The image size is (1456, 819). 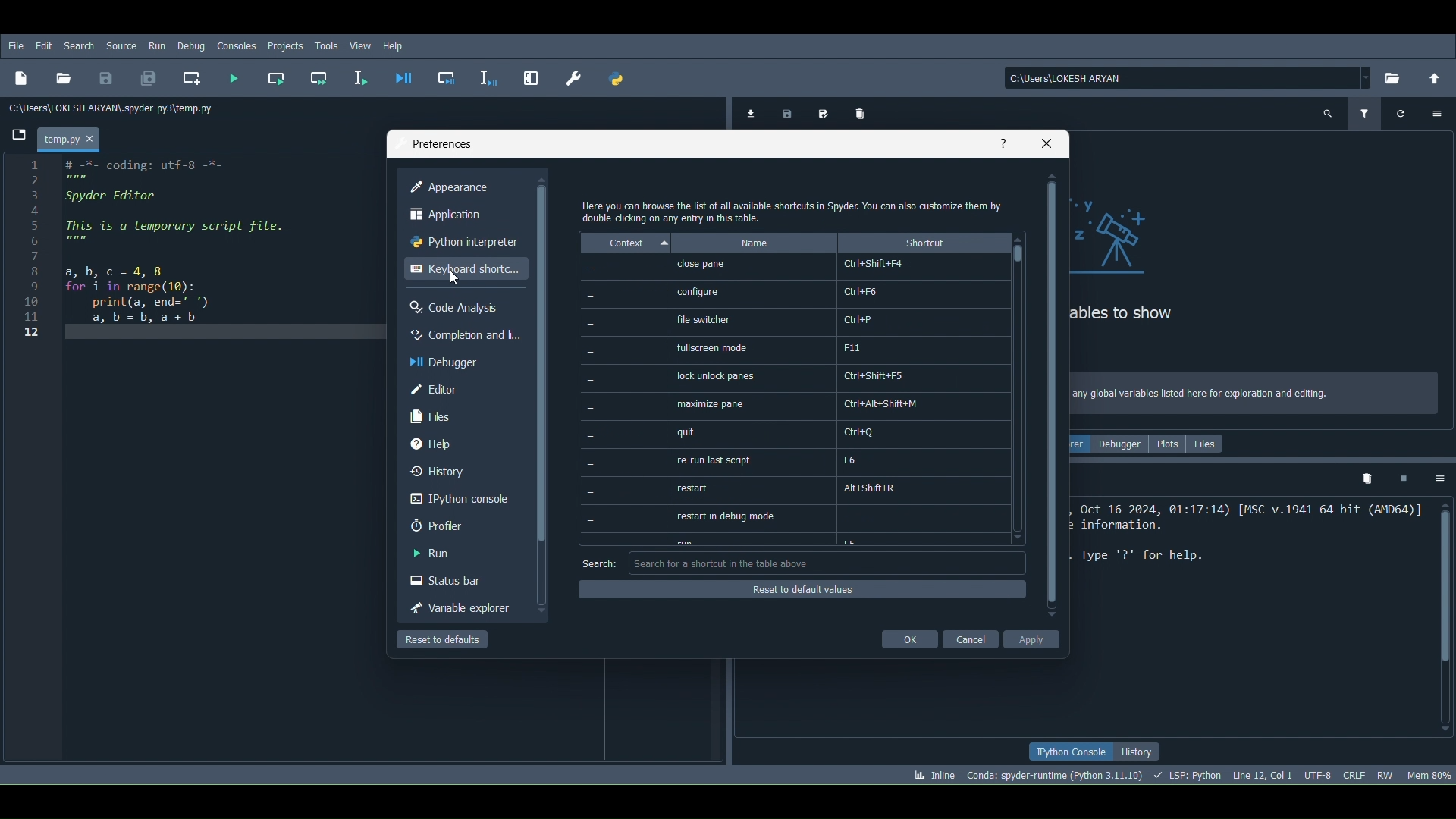 What do you see at coordinates (1022, 391) in the screenshot?
I see `Shortcuts` at bounding box center [1022, 391].